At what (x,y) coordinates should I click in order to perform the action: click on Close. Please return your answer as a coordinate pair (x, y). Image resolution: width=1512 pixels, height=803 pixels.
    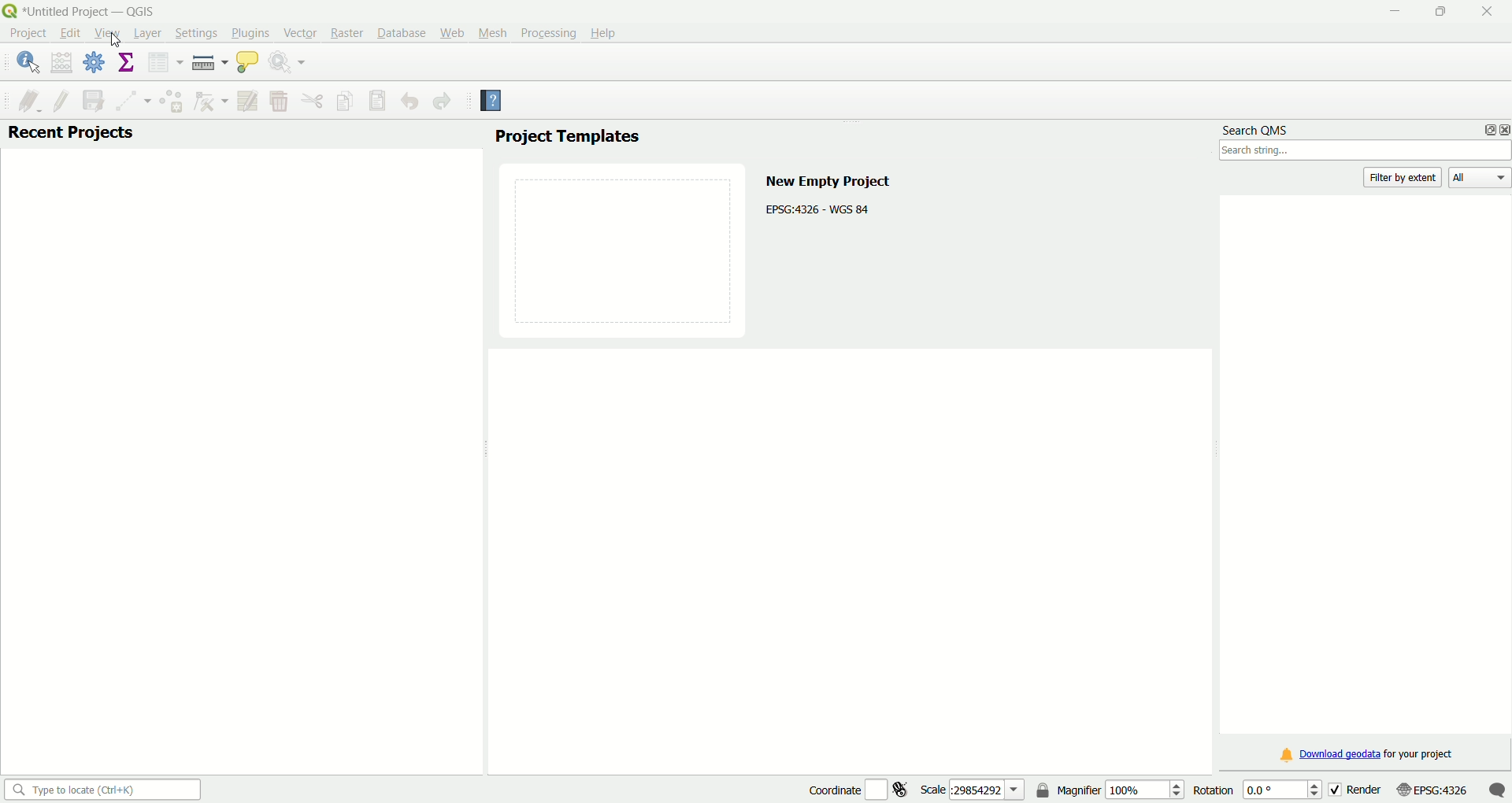
    Looking at the image, I should click on (1483, 12).